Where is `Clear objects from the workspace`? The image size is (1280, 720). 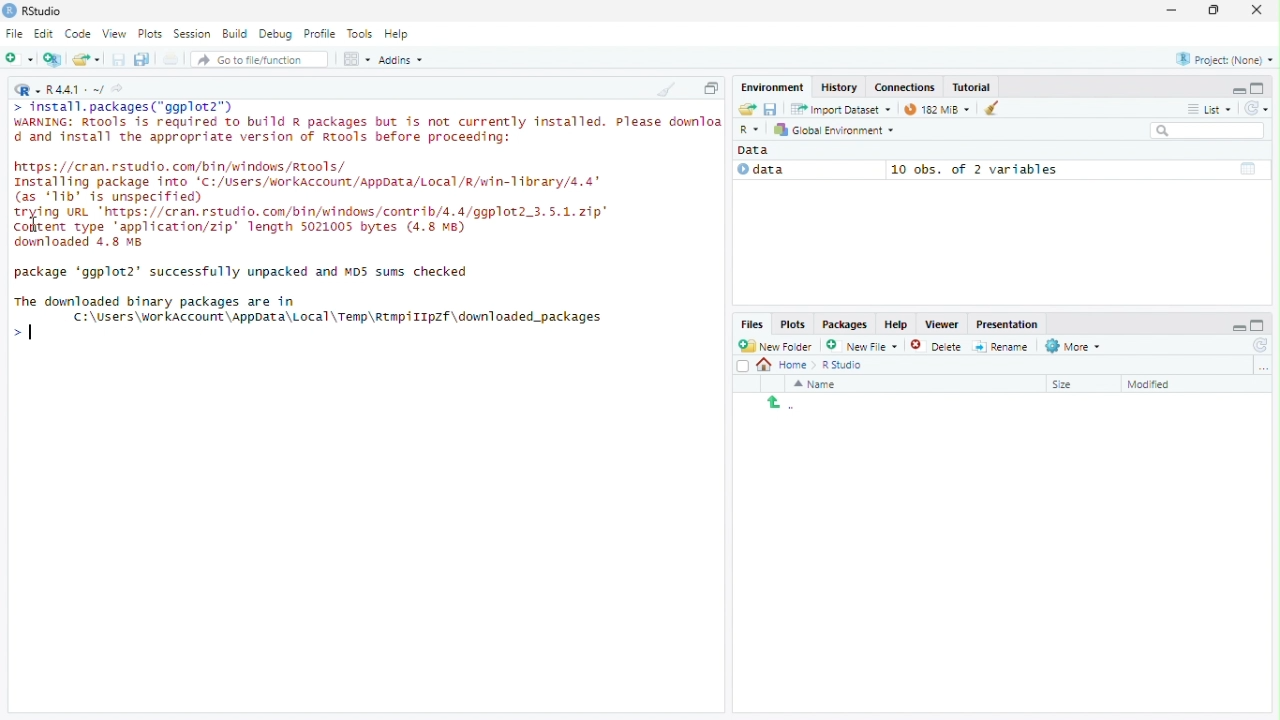
Clear objects from the workspace is located at coordinates (985, 108).